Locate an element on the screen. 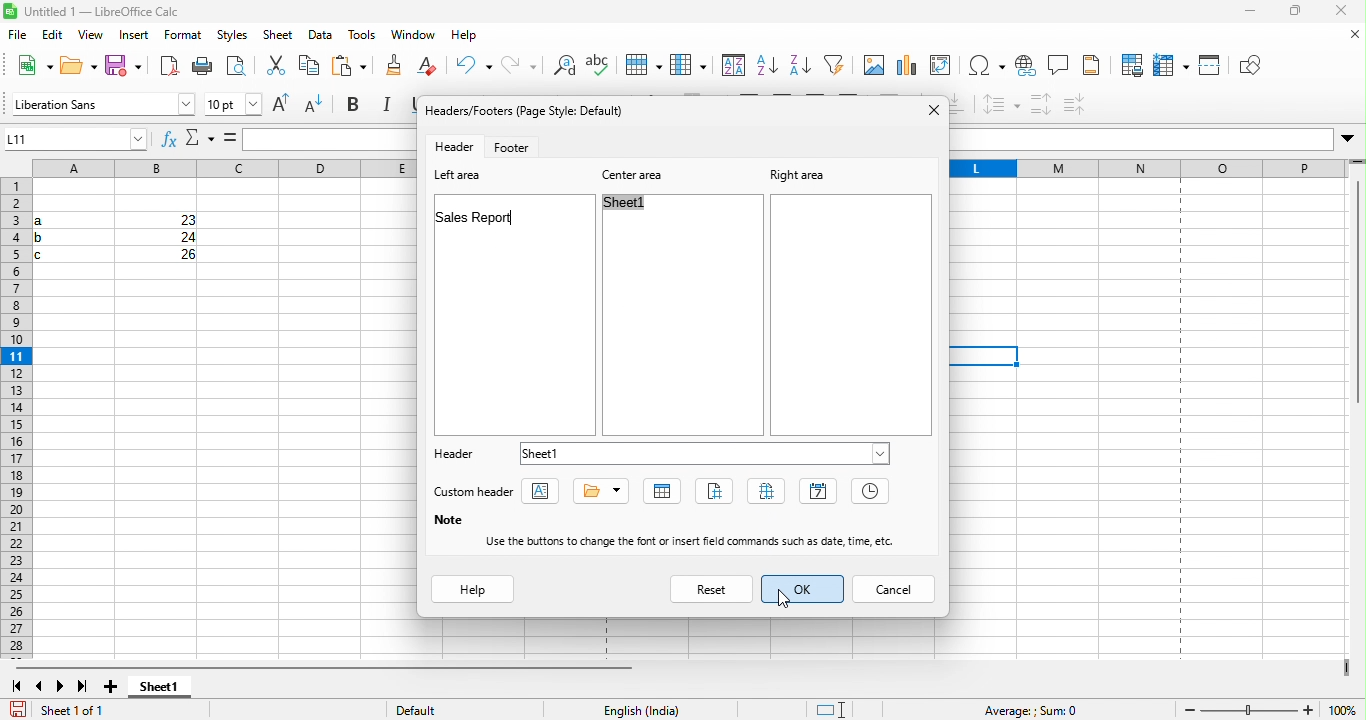 The image size is (1366, 720). close is located at coordinates (1348, 35).